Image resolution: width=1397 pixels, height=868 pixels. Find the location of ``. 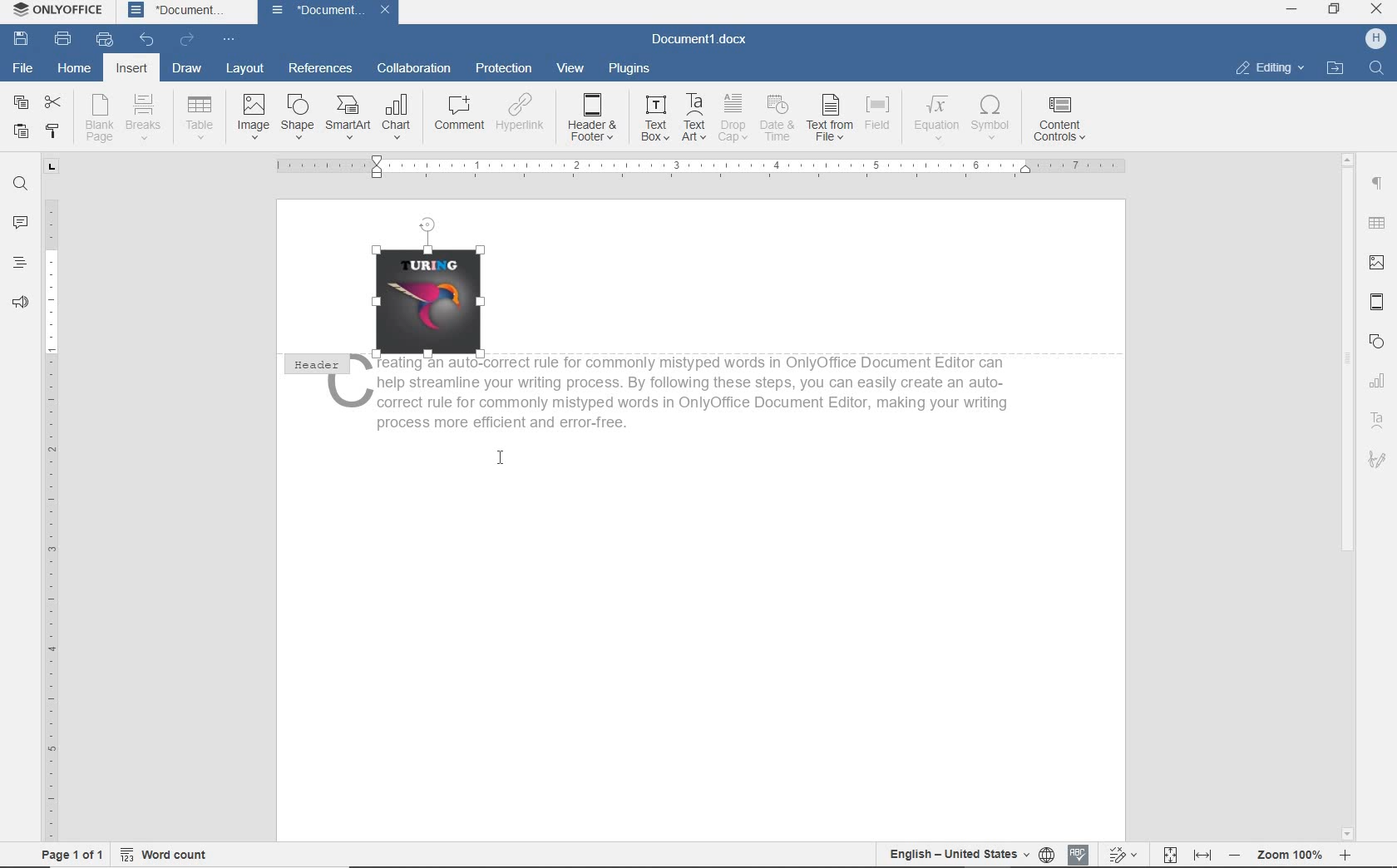

 is located at coordinates (400, 111).